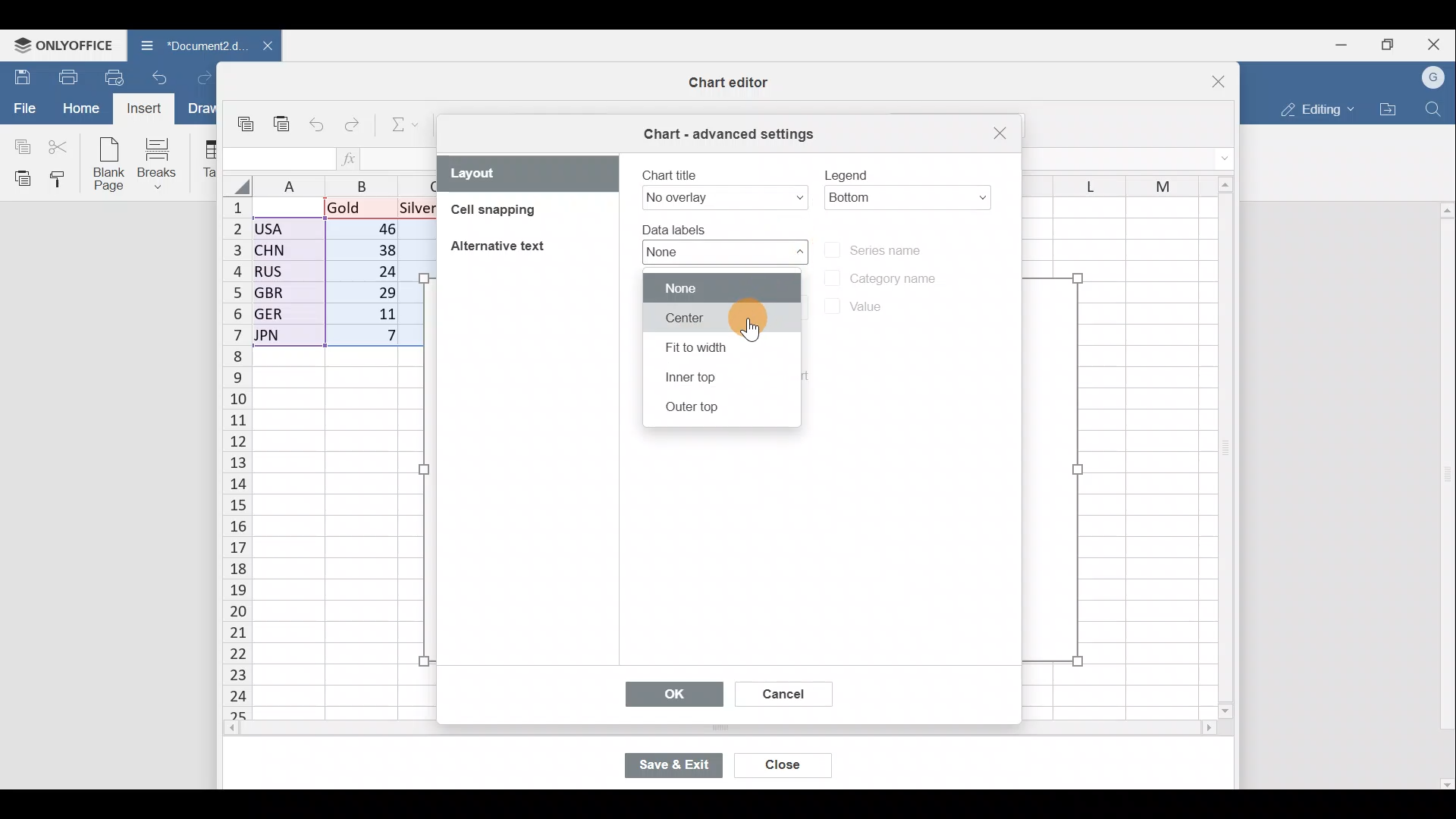 This screenshot has height=819, width=1456. What do you see at coordinates (1347, 43) in the screenshot?
I see `Minimize` at bounding box center [1347, 43].